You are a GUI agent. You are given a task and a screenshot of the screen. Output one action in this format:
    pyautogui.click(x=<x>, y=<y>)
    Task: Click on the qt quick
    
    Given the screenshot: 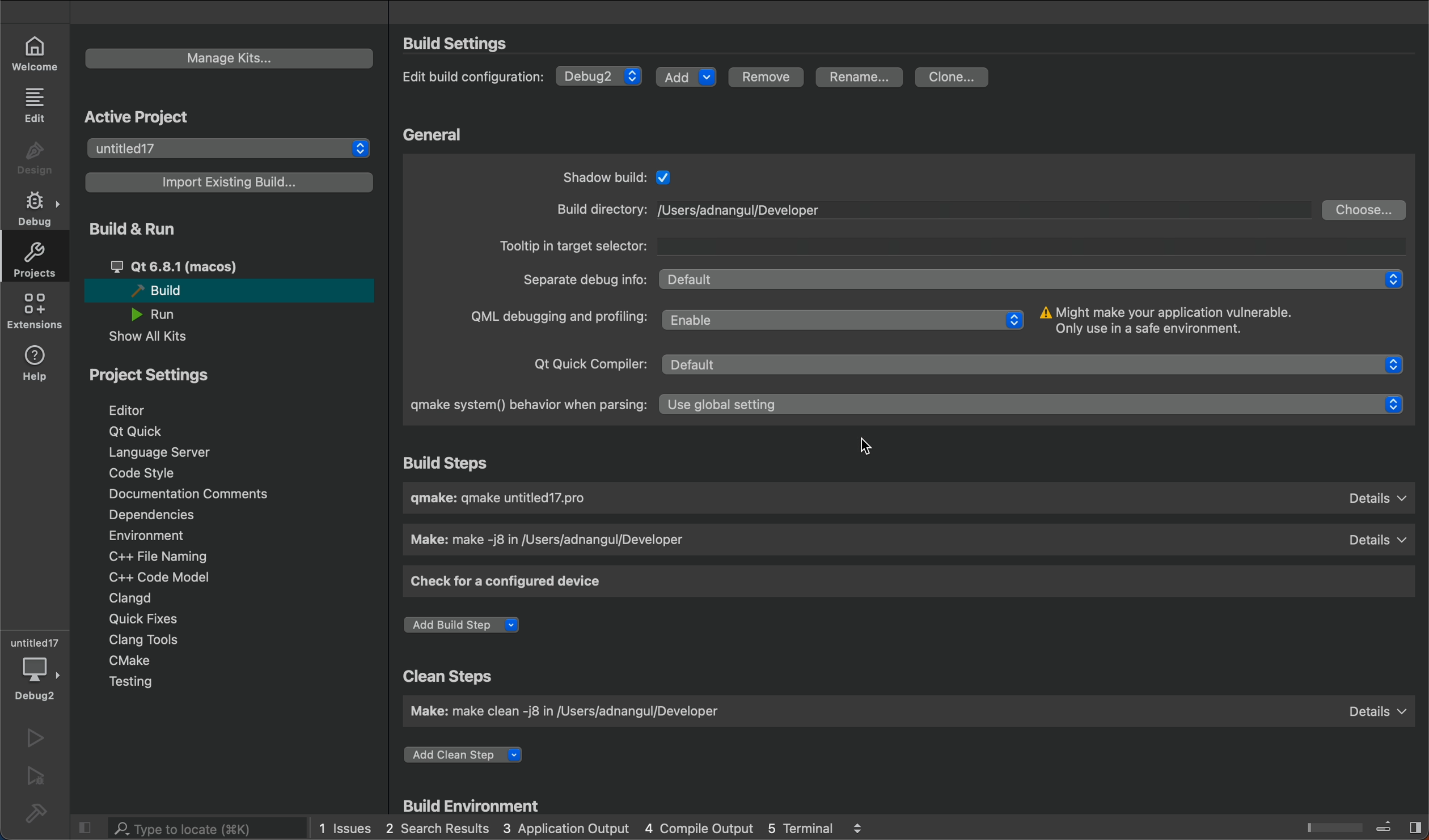 What is the action you would take?
    pyautogui.click(x=138, y=432)
    